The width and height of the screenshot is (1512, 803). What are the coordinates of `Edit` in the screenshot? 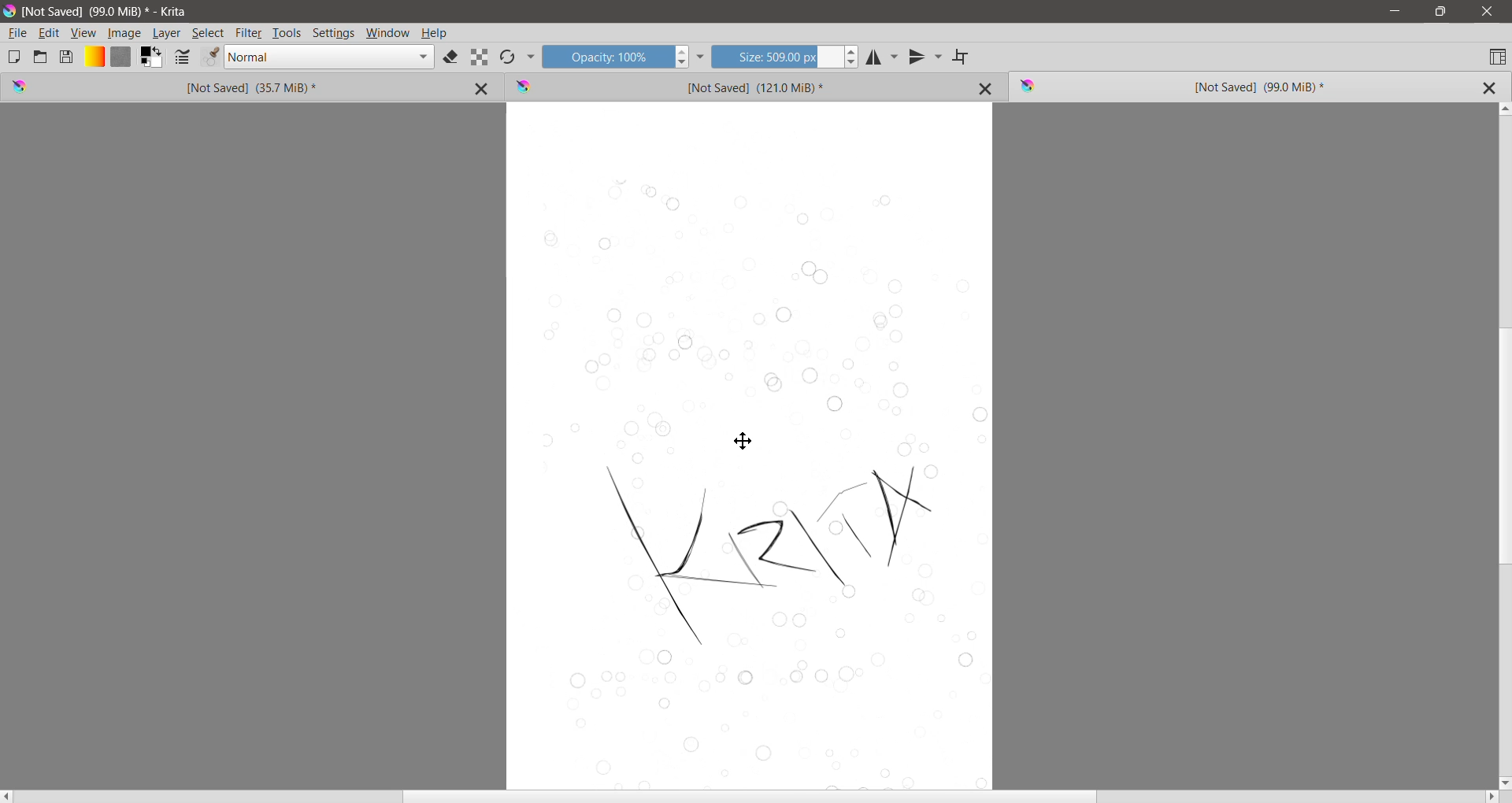 It's located at (50, 34).